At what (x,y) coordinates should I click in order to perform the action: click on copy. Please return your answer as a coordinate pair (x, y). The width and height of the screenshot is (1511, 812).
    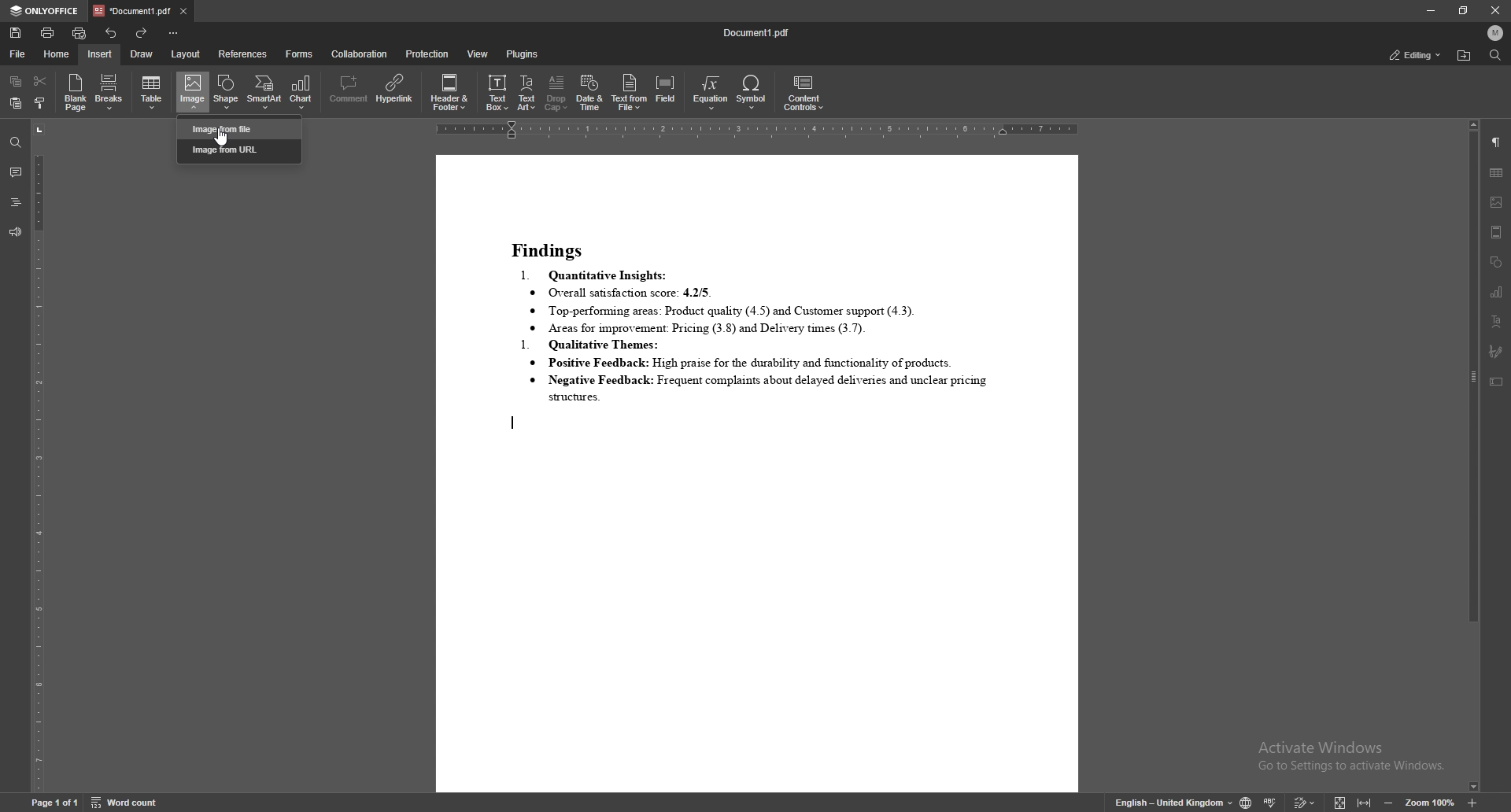
    Looking at the image, I should click on (17, 82).